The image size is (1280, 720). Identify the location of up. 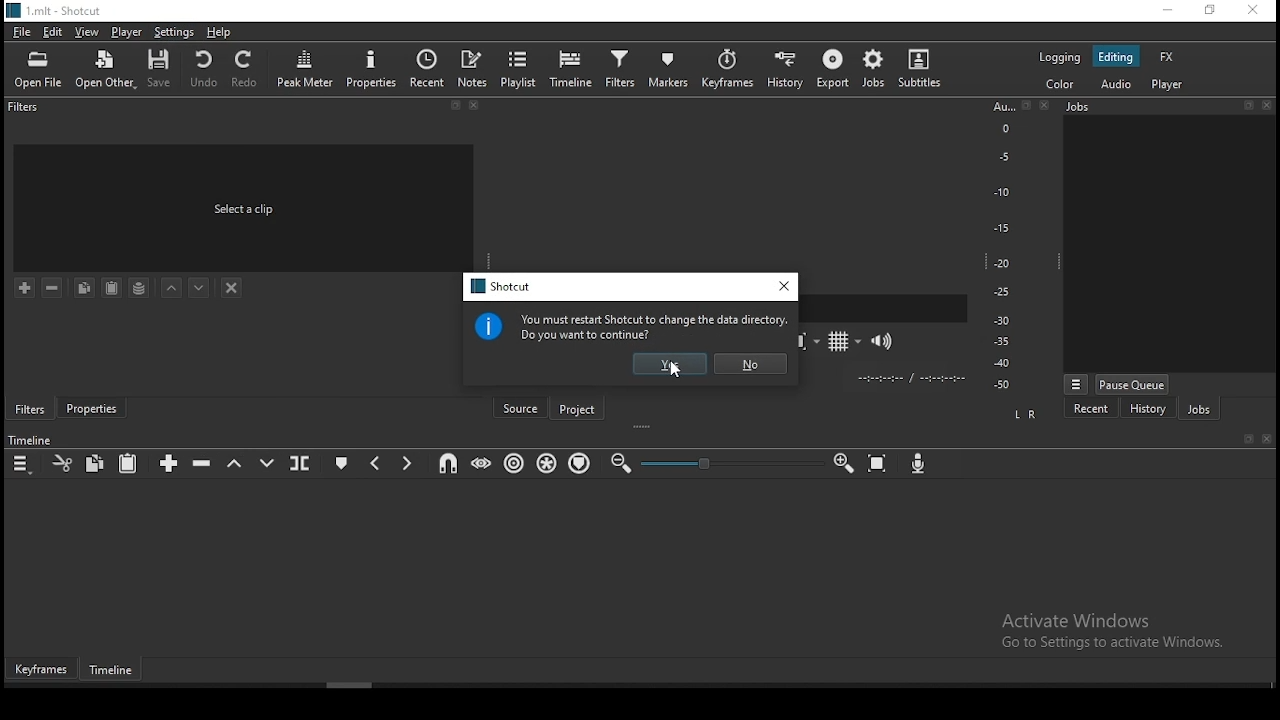
(173, 290).